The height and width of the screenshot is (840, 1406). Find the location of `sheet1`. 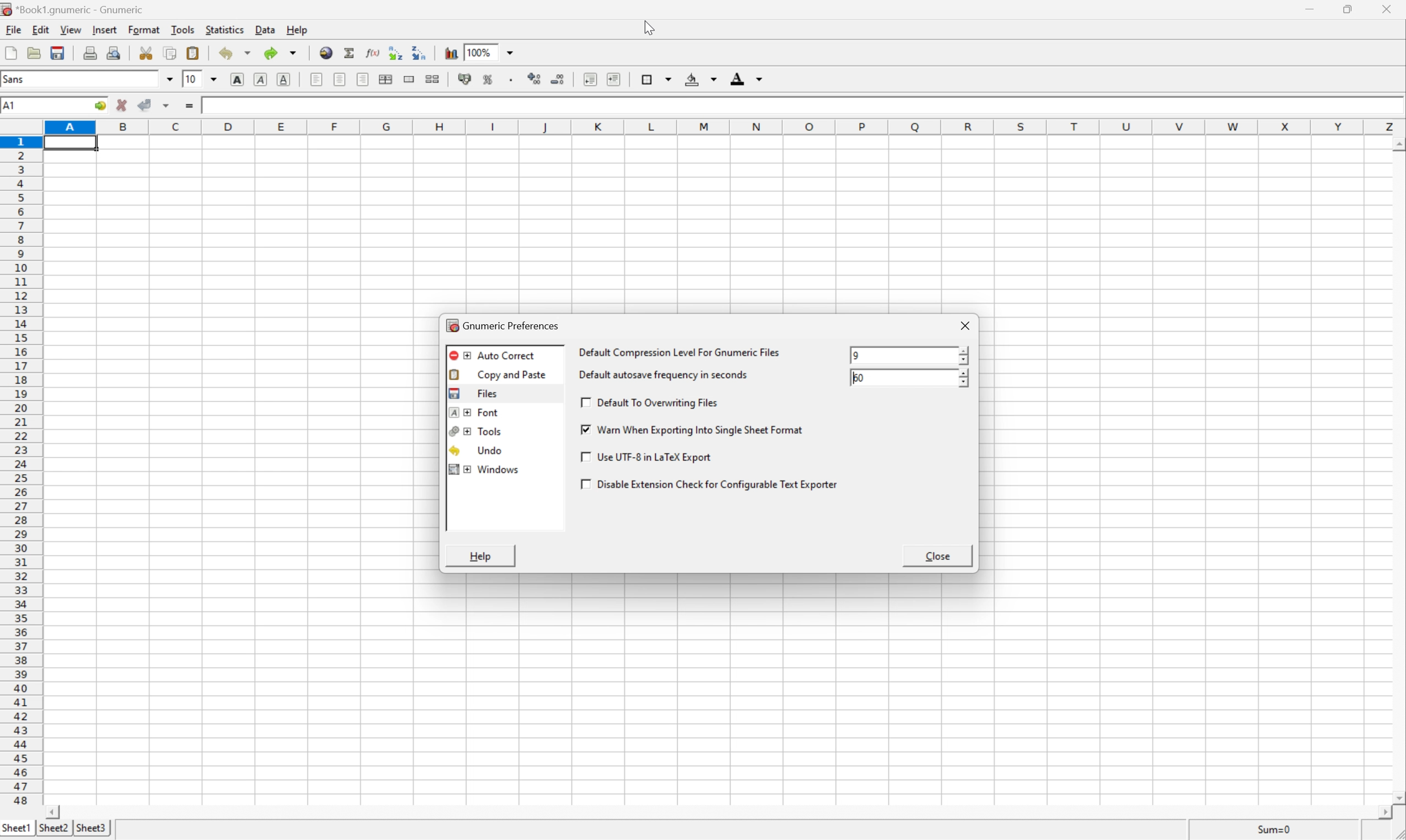

sheet1 is located at coordinates (16, 830).